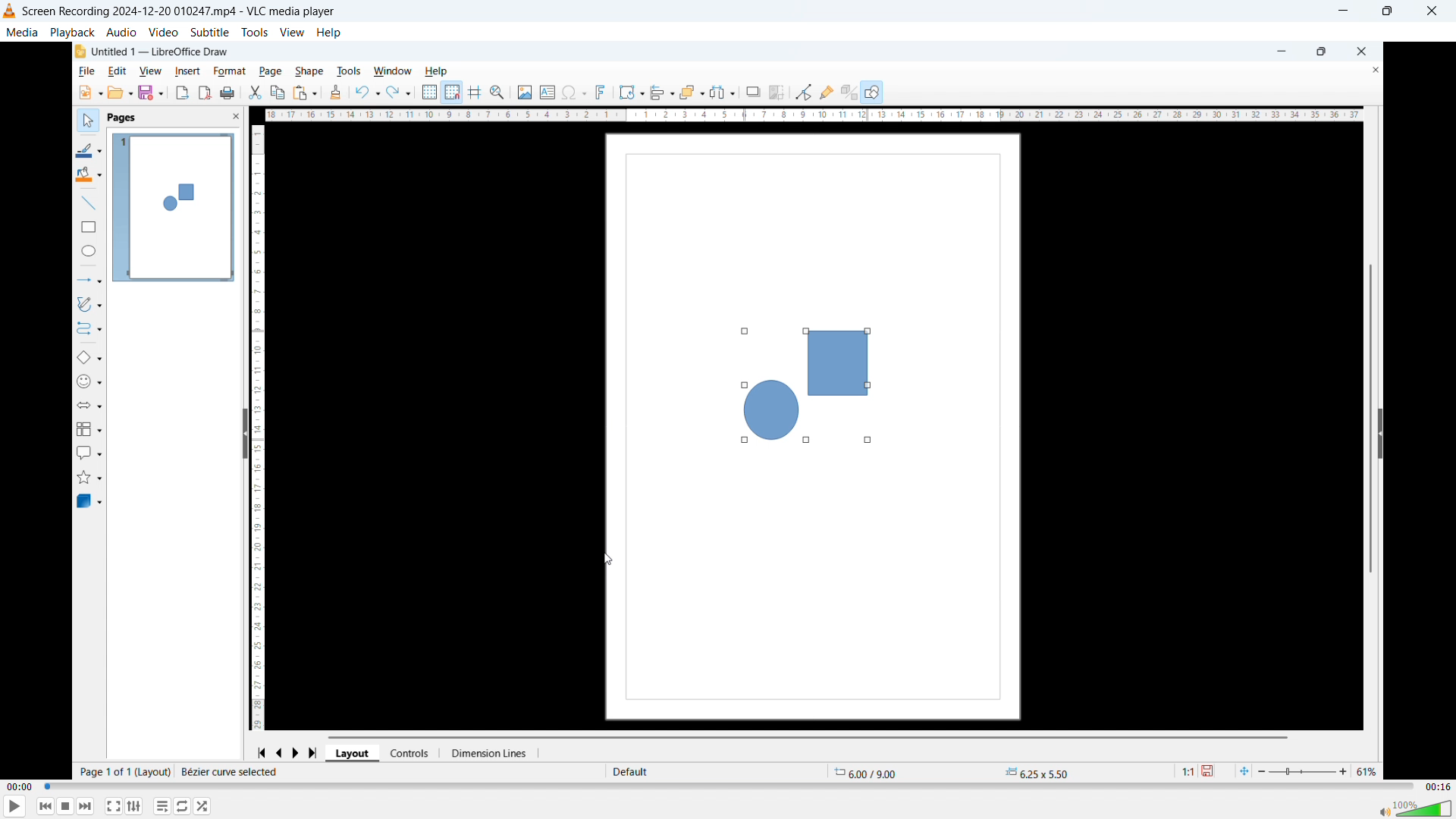 This screenshot has width=1456, height=819. What do you see at coordinates (728, 413) in the screenshot?
I see `Video playback ` at bounding box center [728, 413].